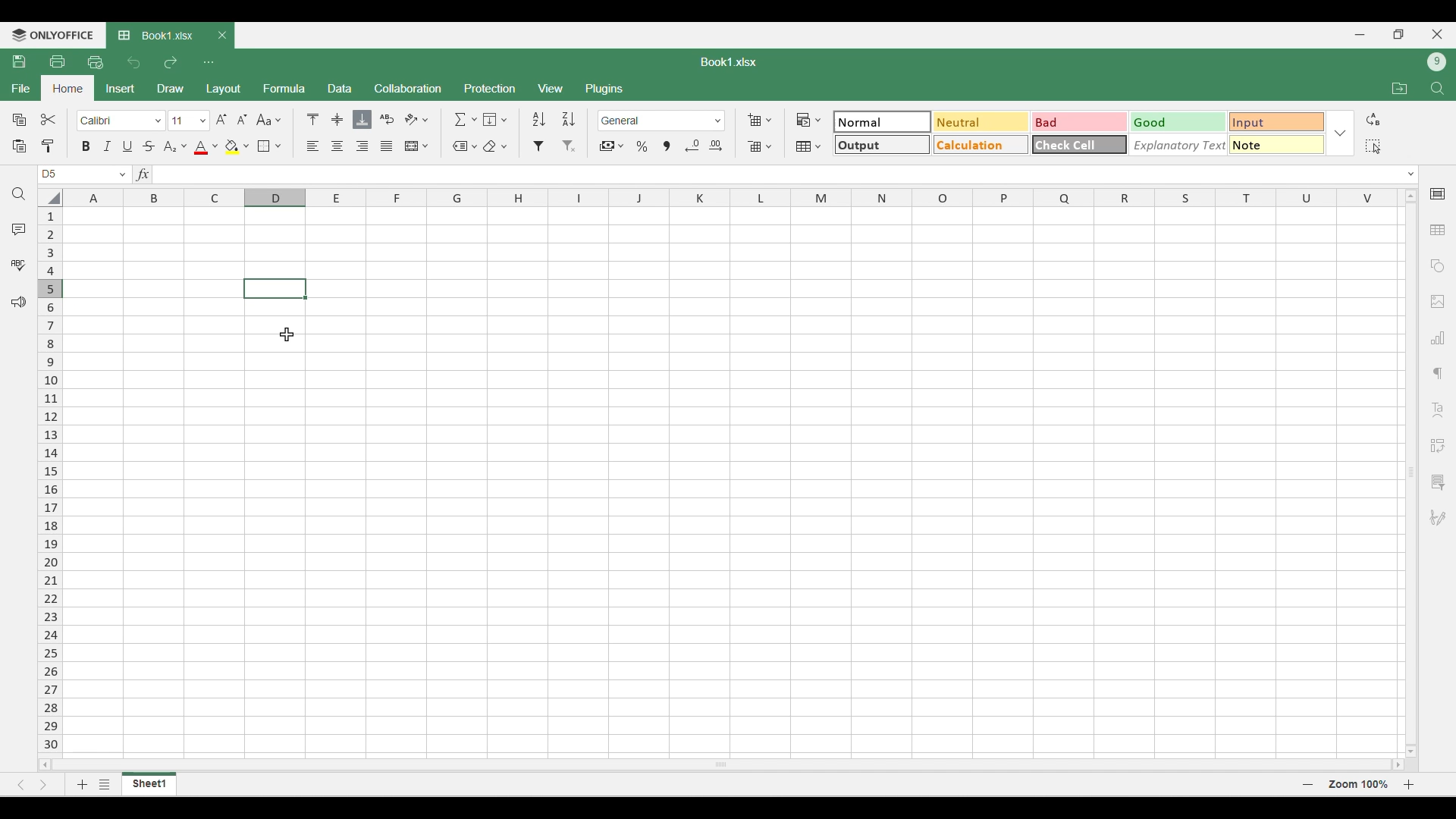 The width and height of the screenshot is (1456, 819). What do you see at coordinates (1439, 337) in the screenshot?
I see `Insert chart` at bounding box center [1439, 337].